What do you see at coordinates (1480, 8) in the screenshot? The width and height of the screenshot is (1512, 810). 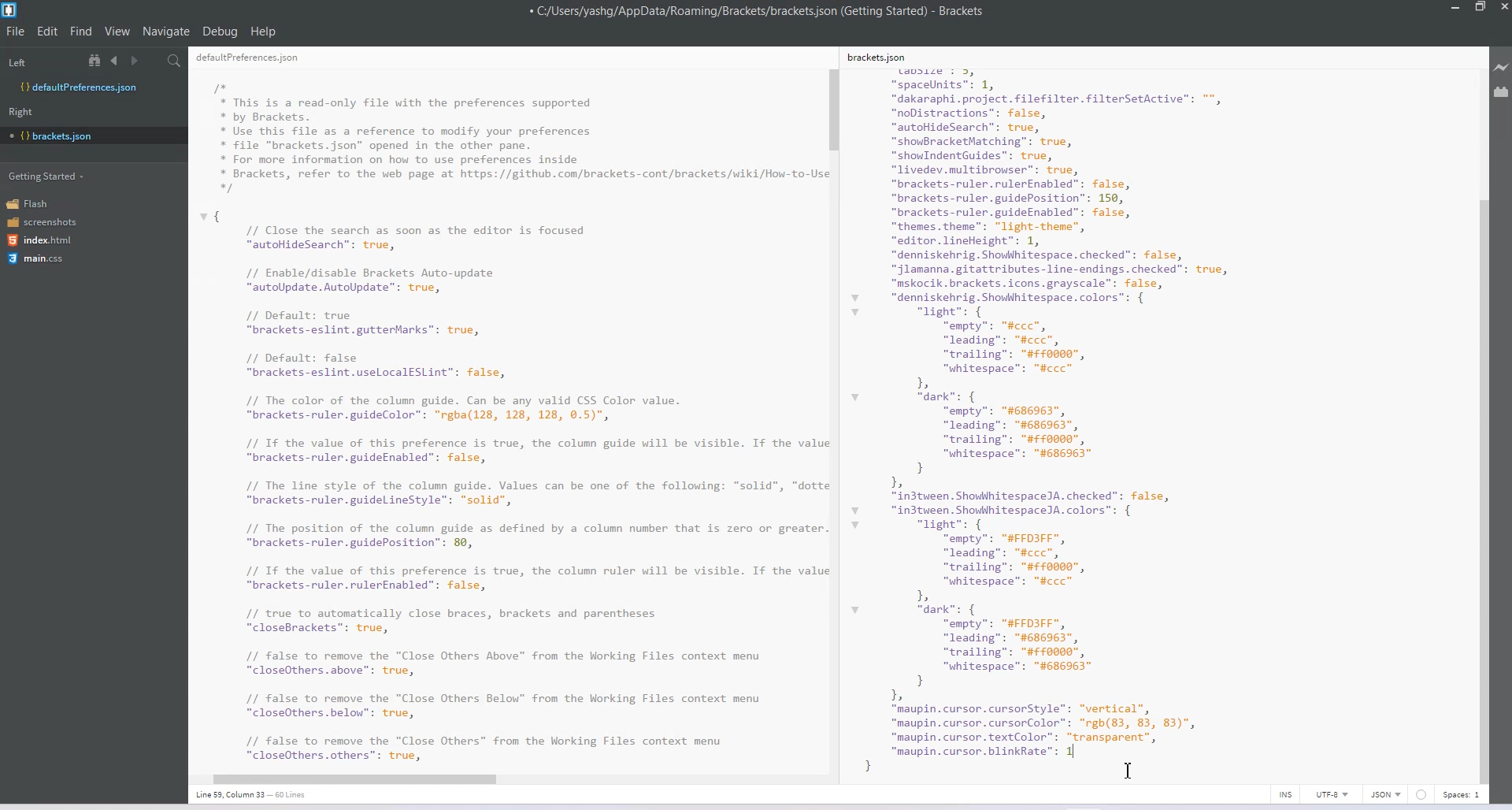 I see `Maximize` at bounding box center [1480, 8].